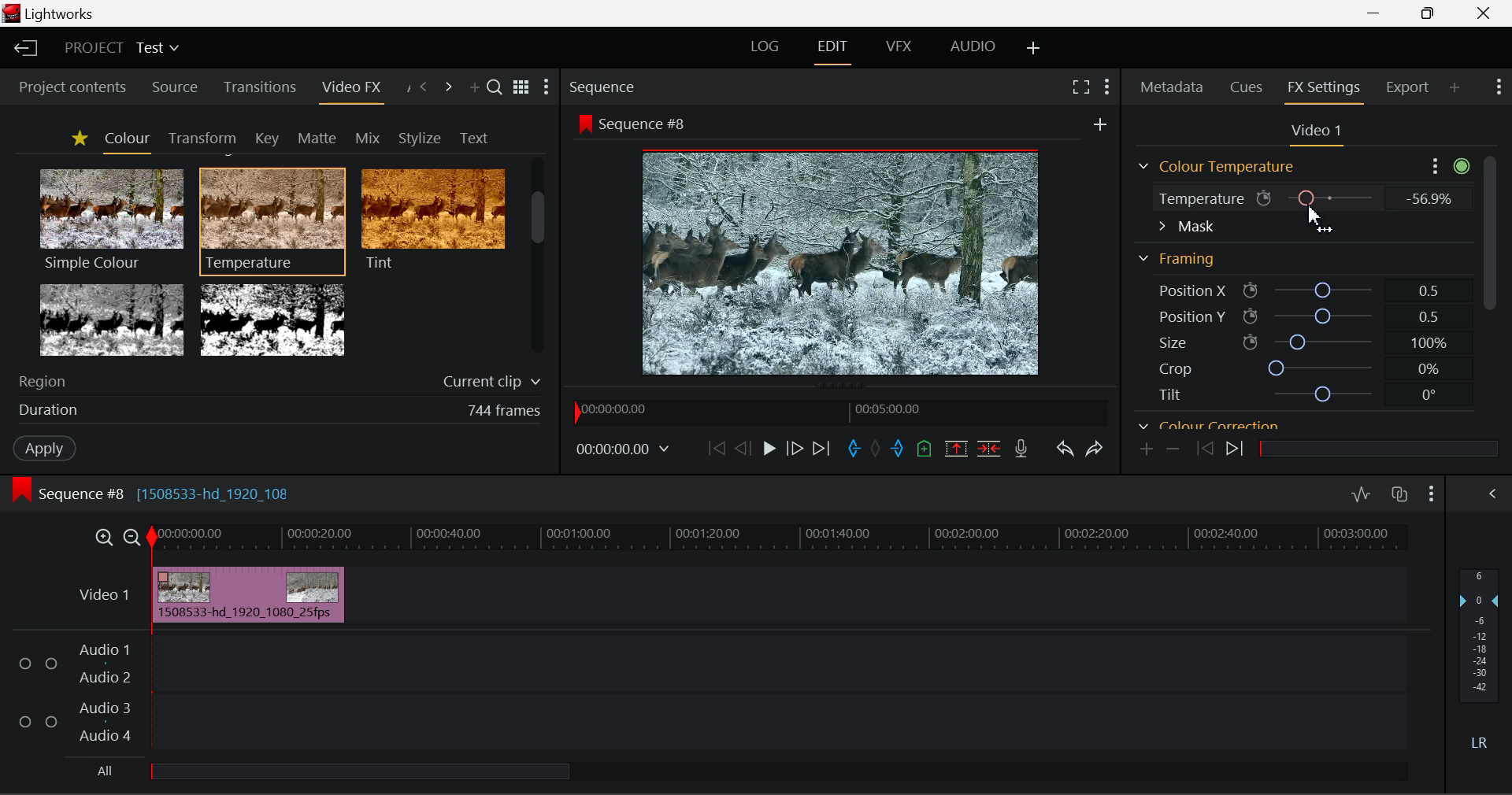  What do you see at coordinates (489, 383) in the screenshot?
I see `Current clip ` at bounding box center [489, 383].